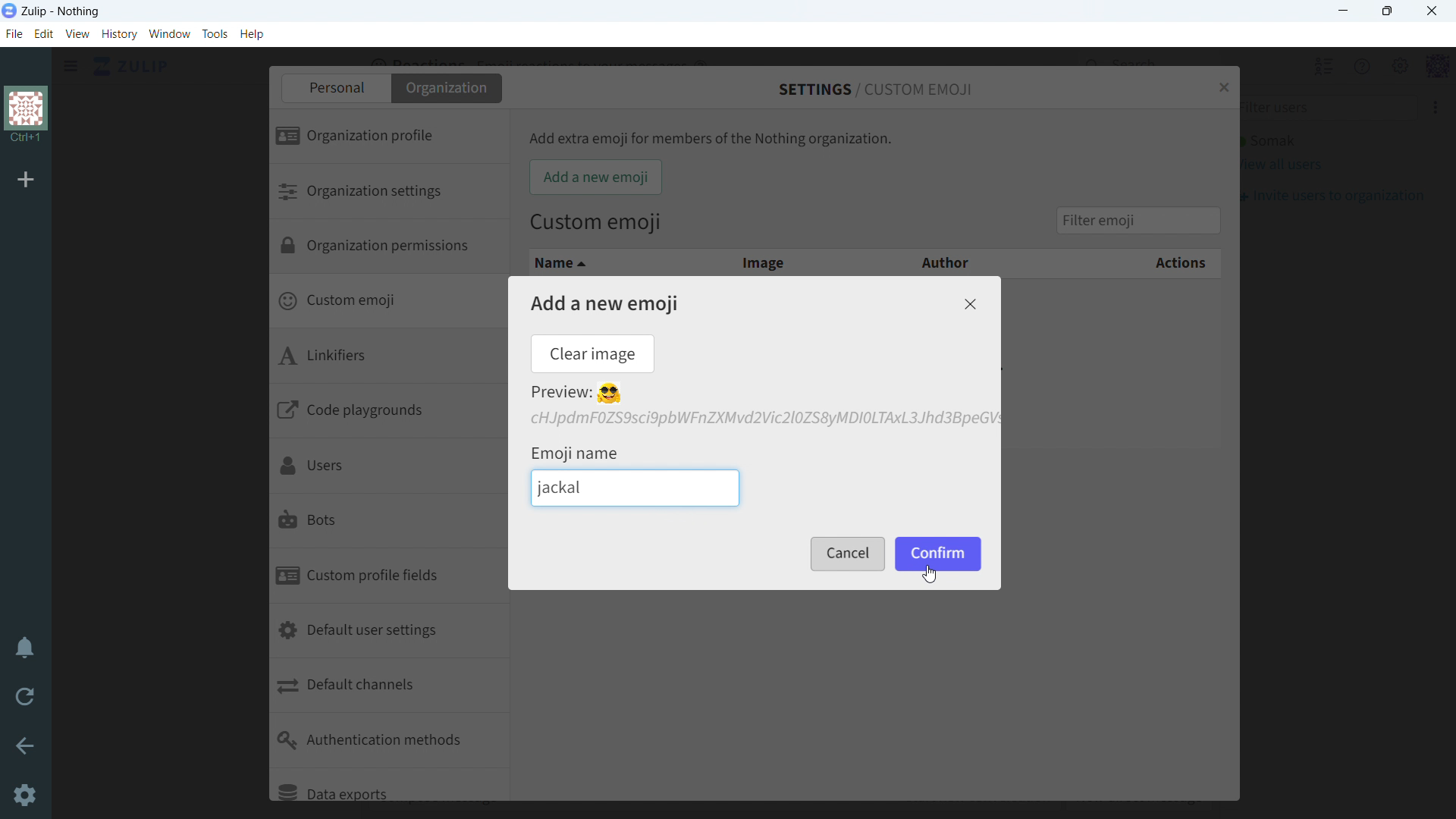 Image resolution: width=1456 pixels, height=819 pixels. What do you see at coordinates (334, 88) in the screenshot?
I see `personal` at bounding box center [334, 88].